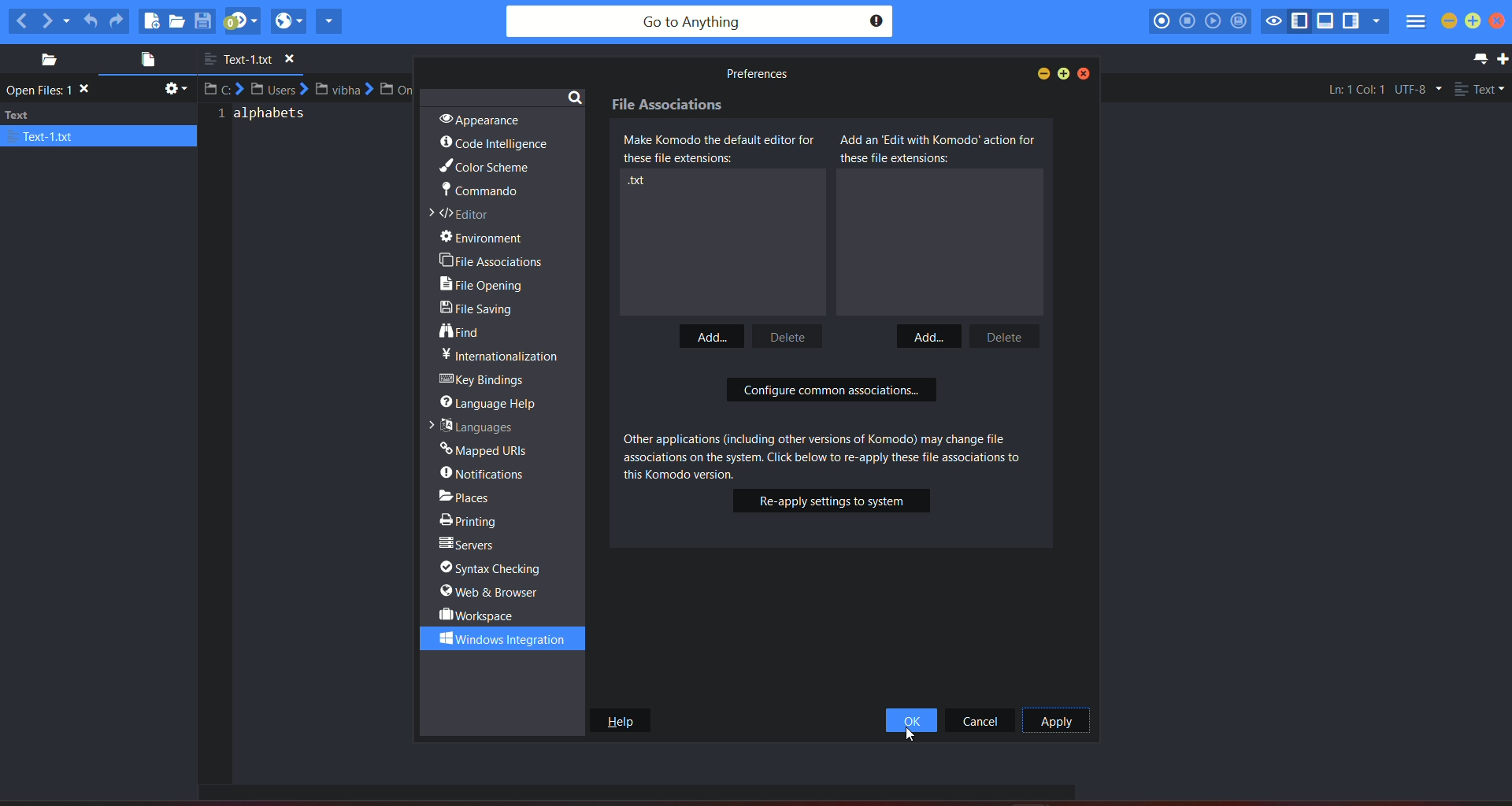 The height and width of the screenshot is (806, 1512). What do you see at coordinates (699, 22) in the screenshot?
I see `search bar` at bounding box center [699, 22].